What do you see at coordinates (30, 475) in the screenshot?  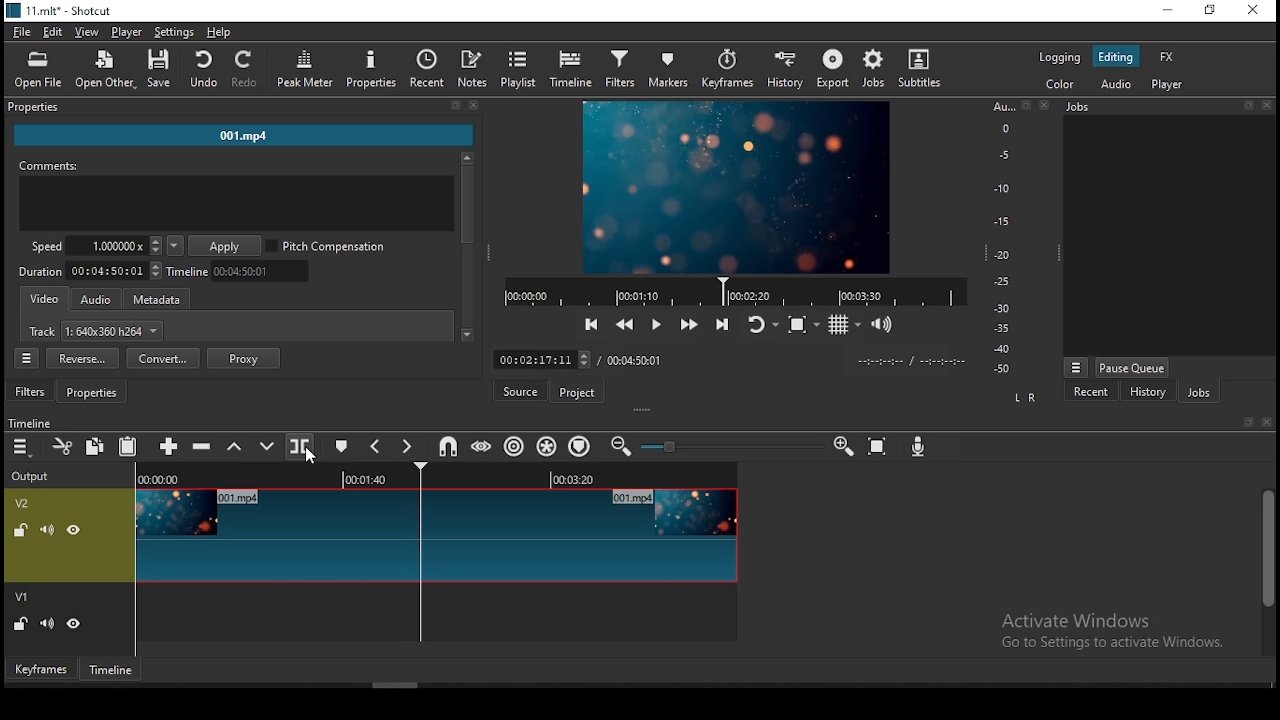 I see `OUTPUT` at bounding box center [30, 475].